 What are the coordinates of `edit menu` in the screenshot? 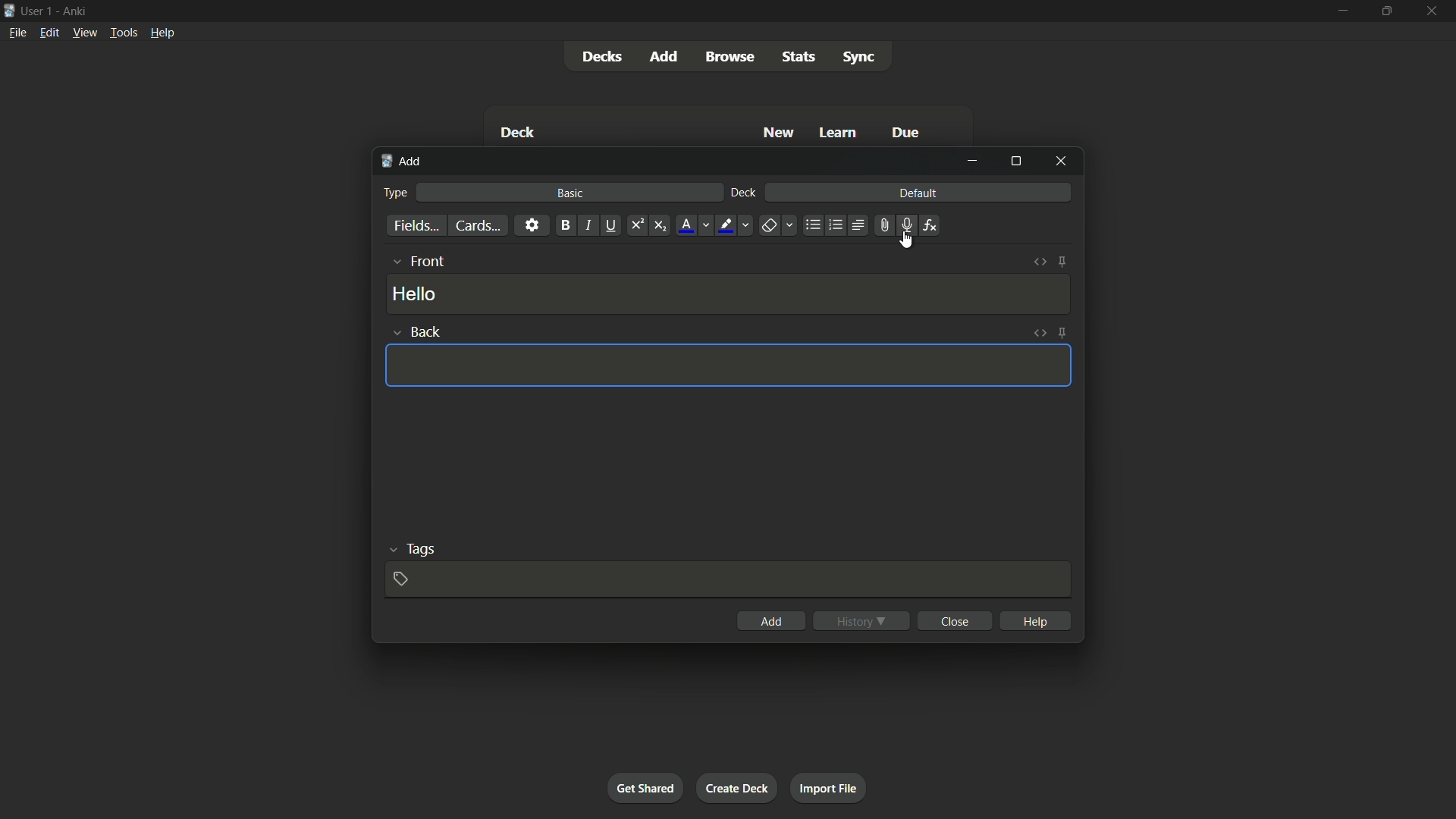 It's located at (49, 33).